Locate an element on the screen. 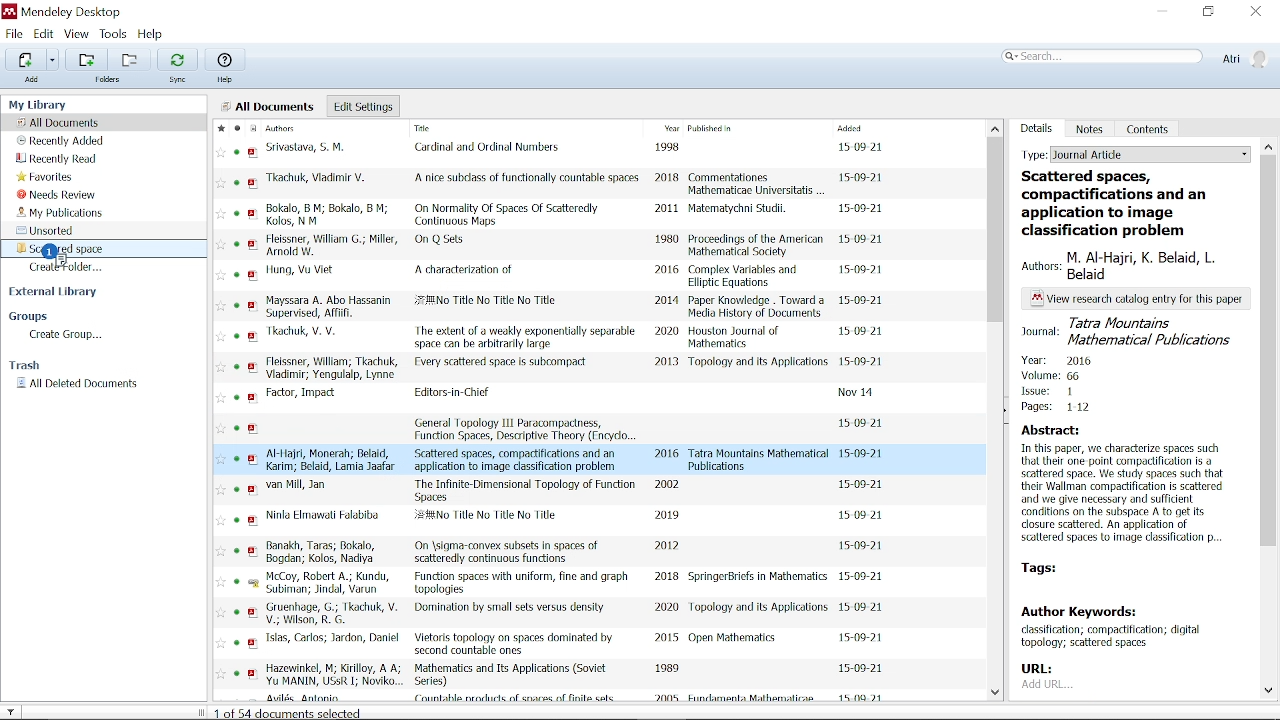 The width and height of the screenshot is (1280, 720). authors is located at coordinates (300, 270).